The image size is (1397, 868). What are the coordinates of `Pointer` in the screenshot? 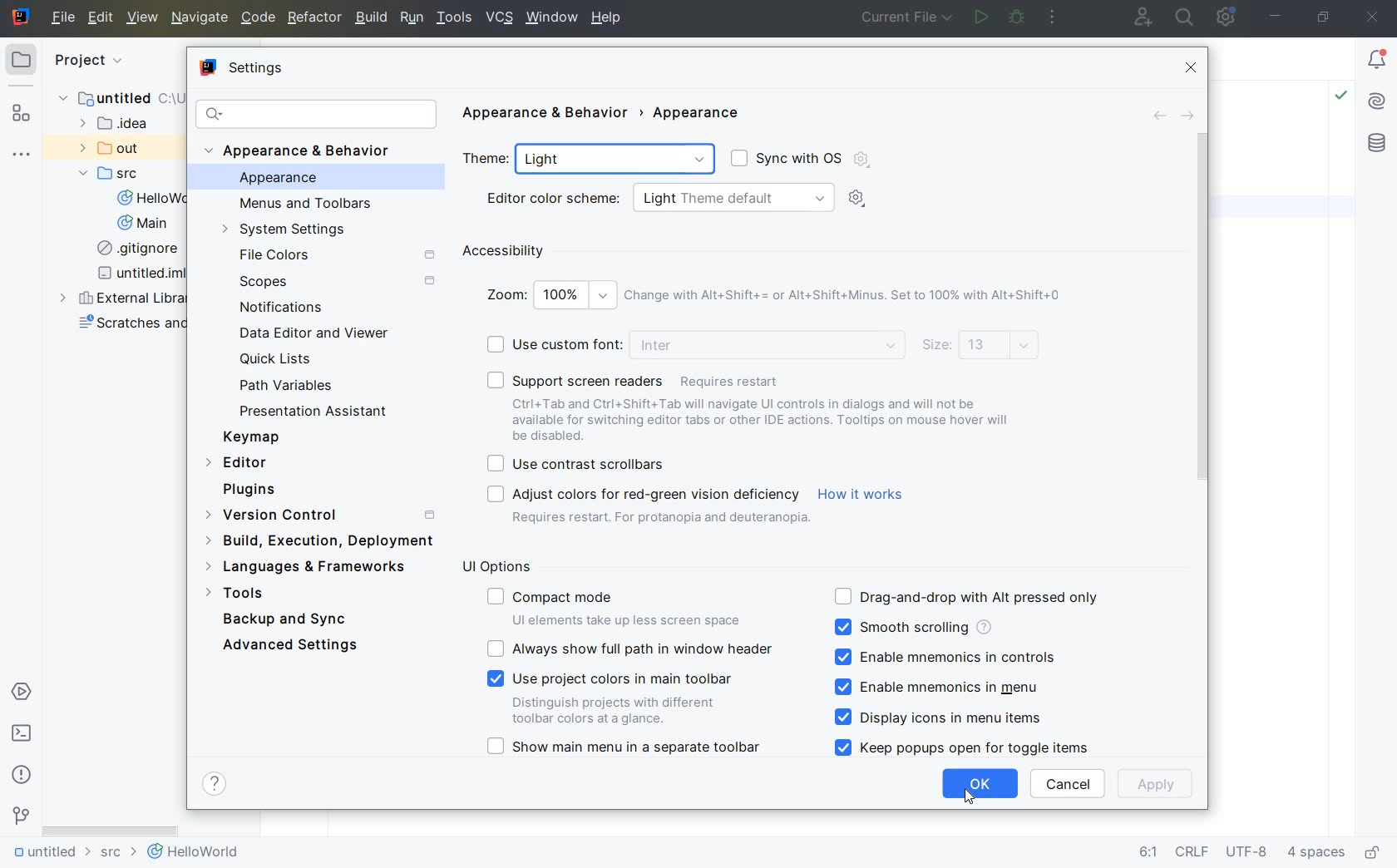 It's located at (972, 800).